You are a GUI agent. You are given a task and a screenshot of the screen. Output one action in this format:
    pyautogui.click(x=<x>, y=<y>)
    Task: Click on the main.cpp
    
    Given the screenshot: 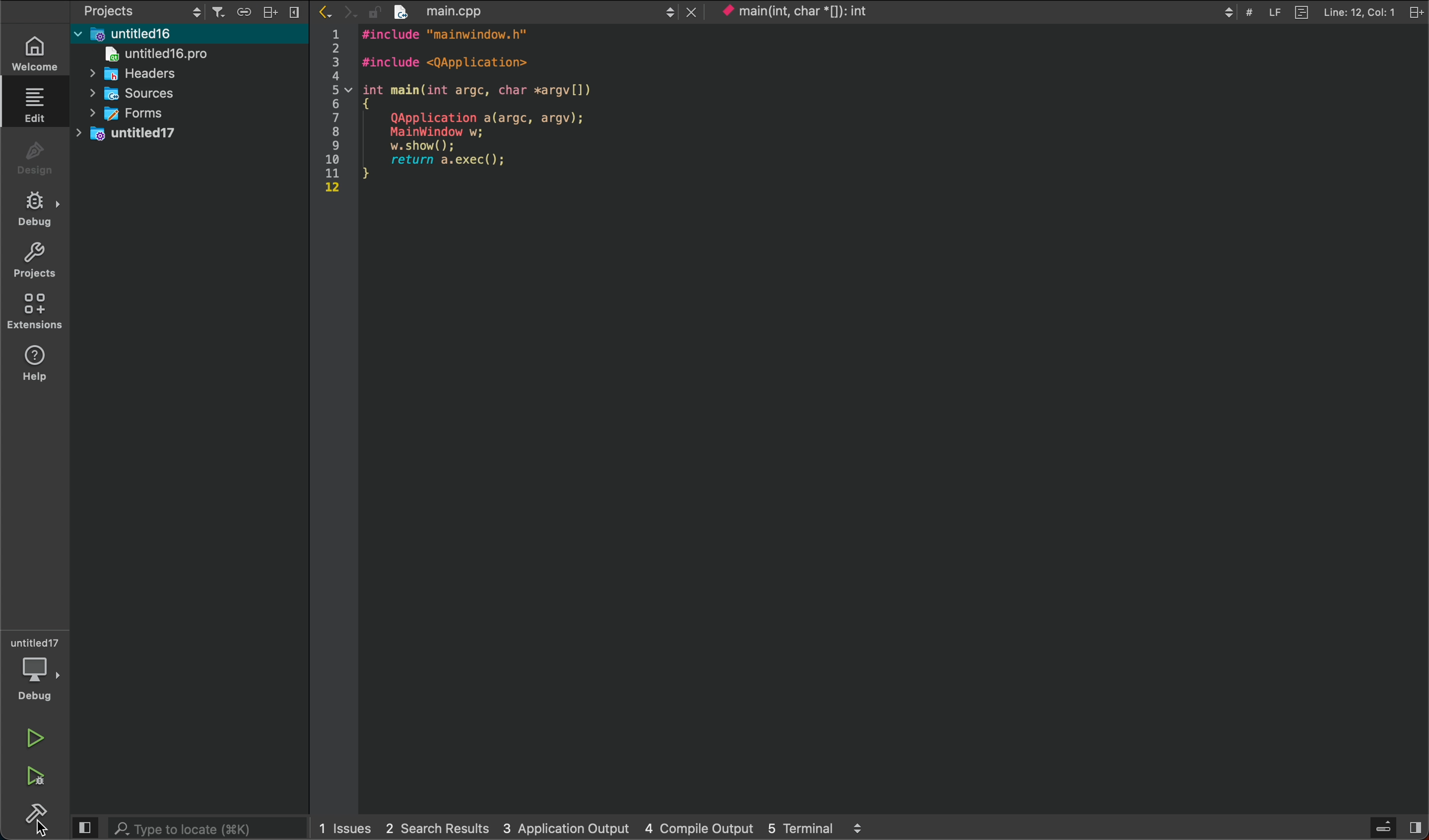 What is the action you would take?
    pyautogui.click(x=521, y=11)
    